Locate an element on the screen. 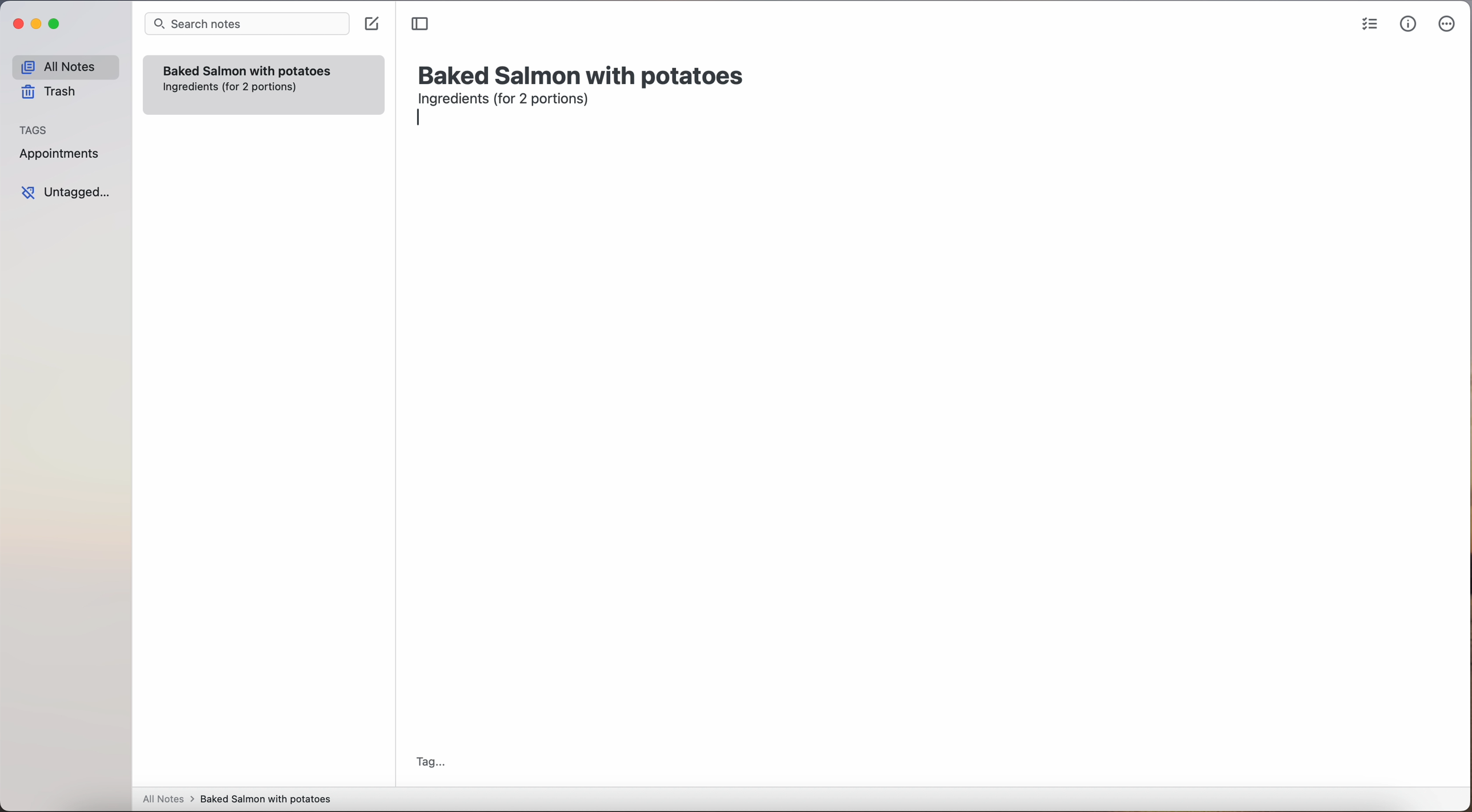 This screenshot has width=1472, height=812. toggle sidebar is located at coordinates (421, 25).